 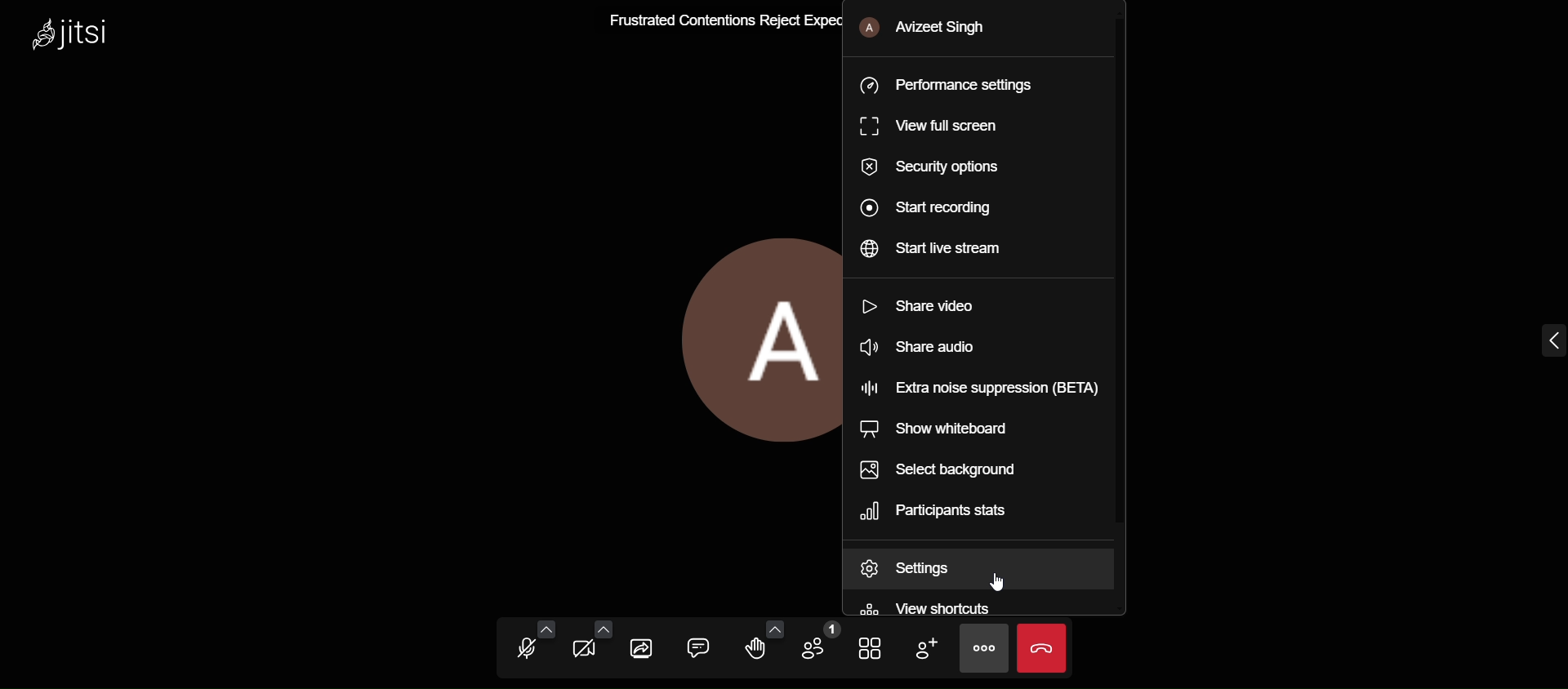 What do you see at coordinates (582, 648) in the screenshot?
I see `start camera` at bounding box center [582, 648].